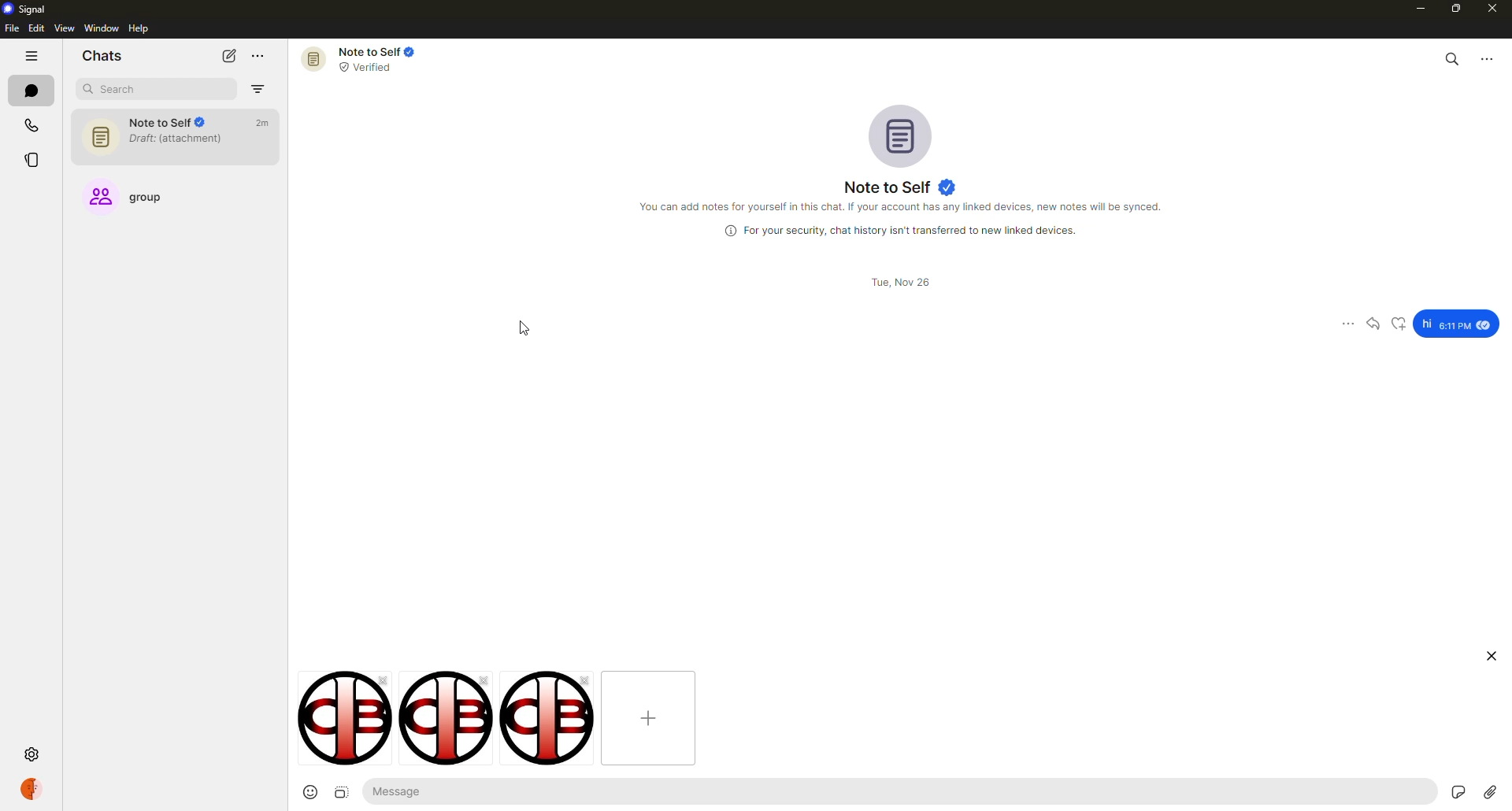 The height and width of the screenshot is (811, 1512). What do you see at coordinates (906, 207) in the screenshot?
I see `info` at bounding box center [906, 207].